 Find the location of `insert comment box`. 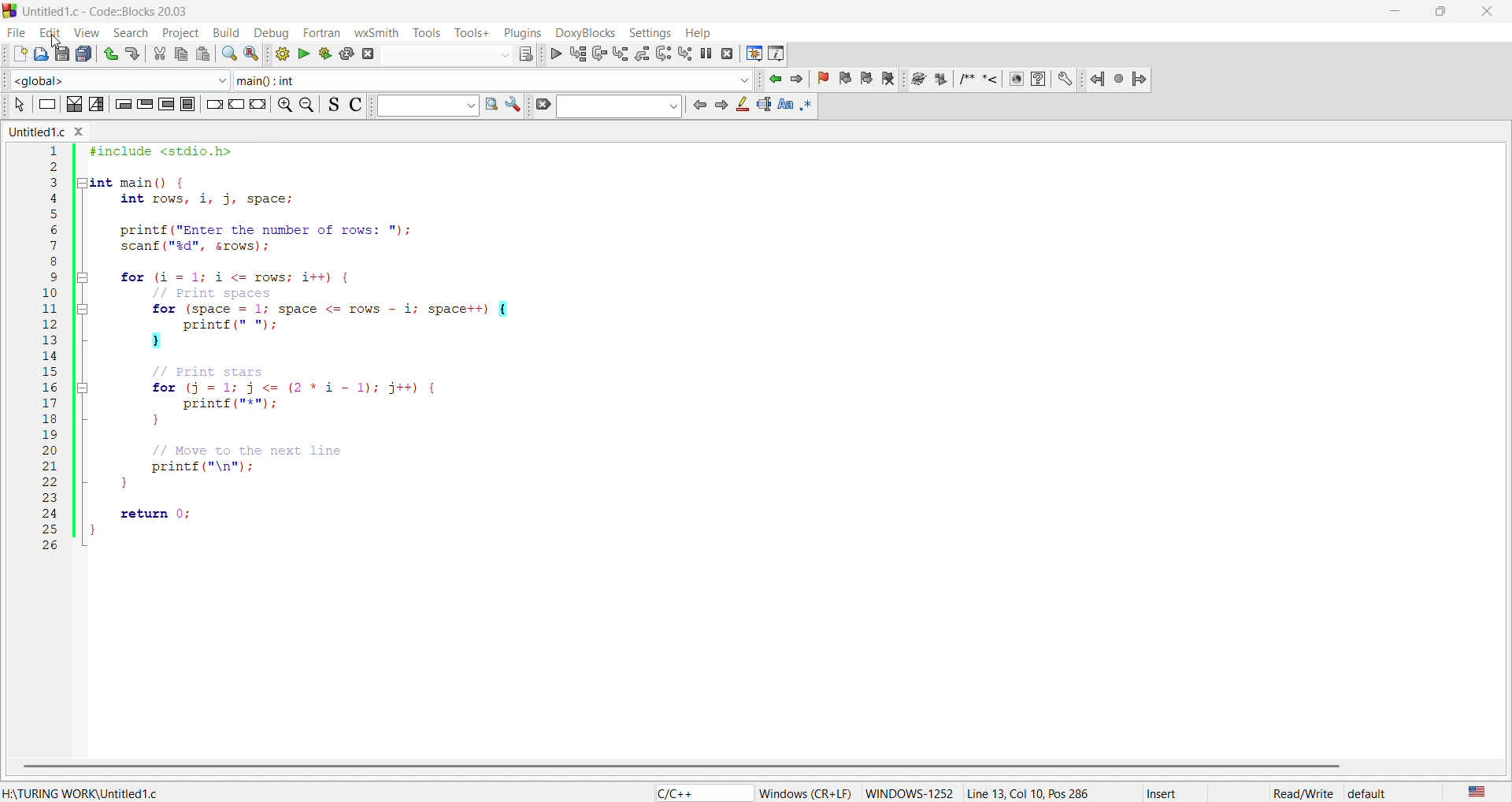

insert comment box is located at coordinates (967, 81).